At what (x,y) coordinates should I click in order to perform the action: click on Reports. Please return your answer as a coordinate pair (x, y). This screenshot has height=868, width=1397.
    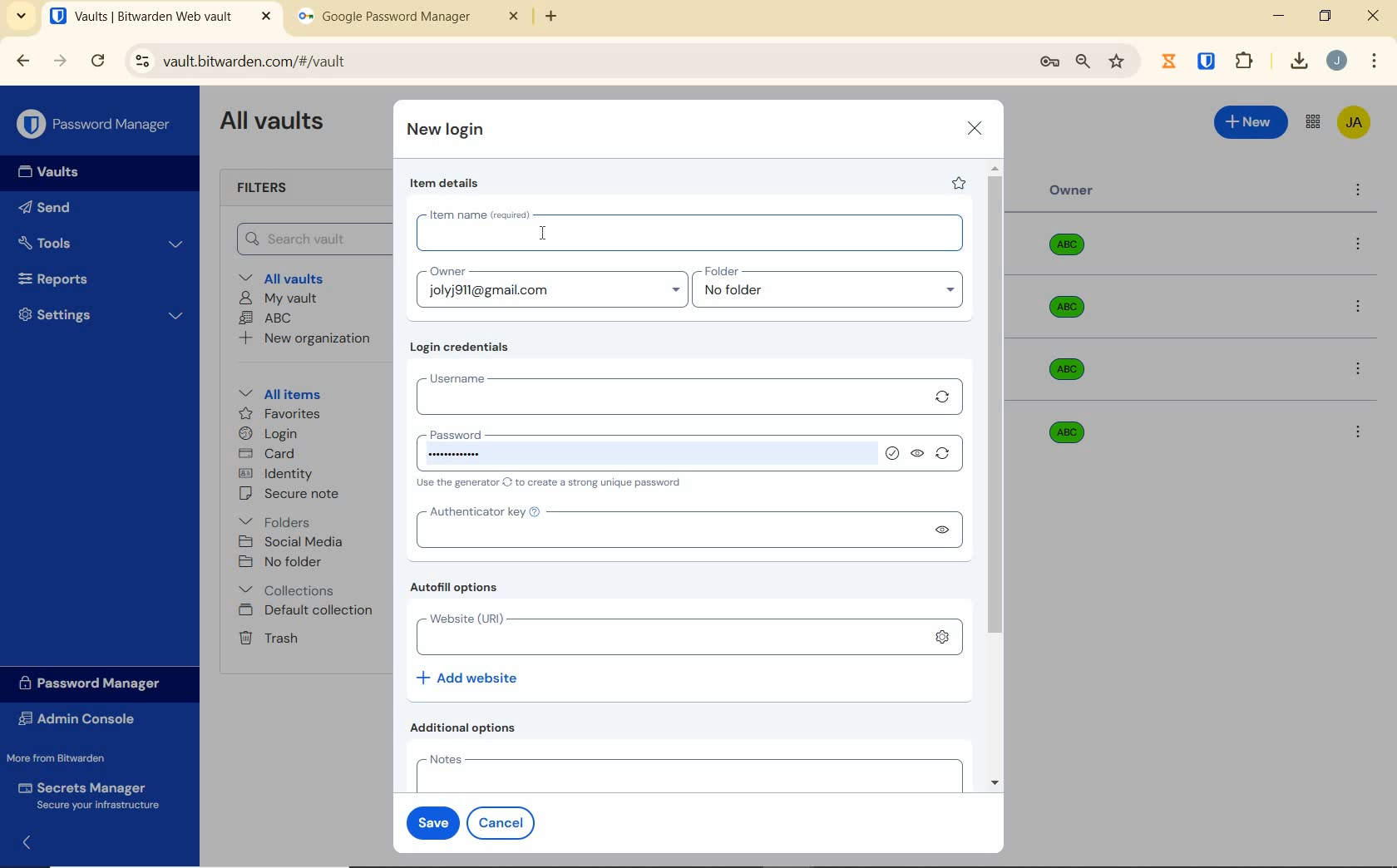
    Looking at the image, I should click on (72, 275).